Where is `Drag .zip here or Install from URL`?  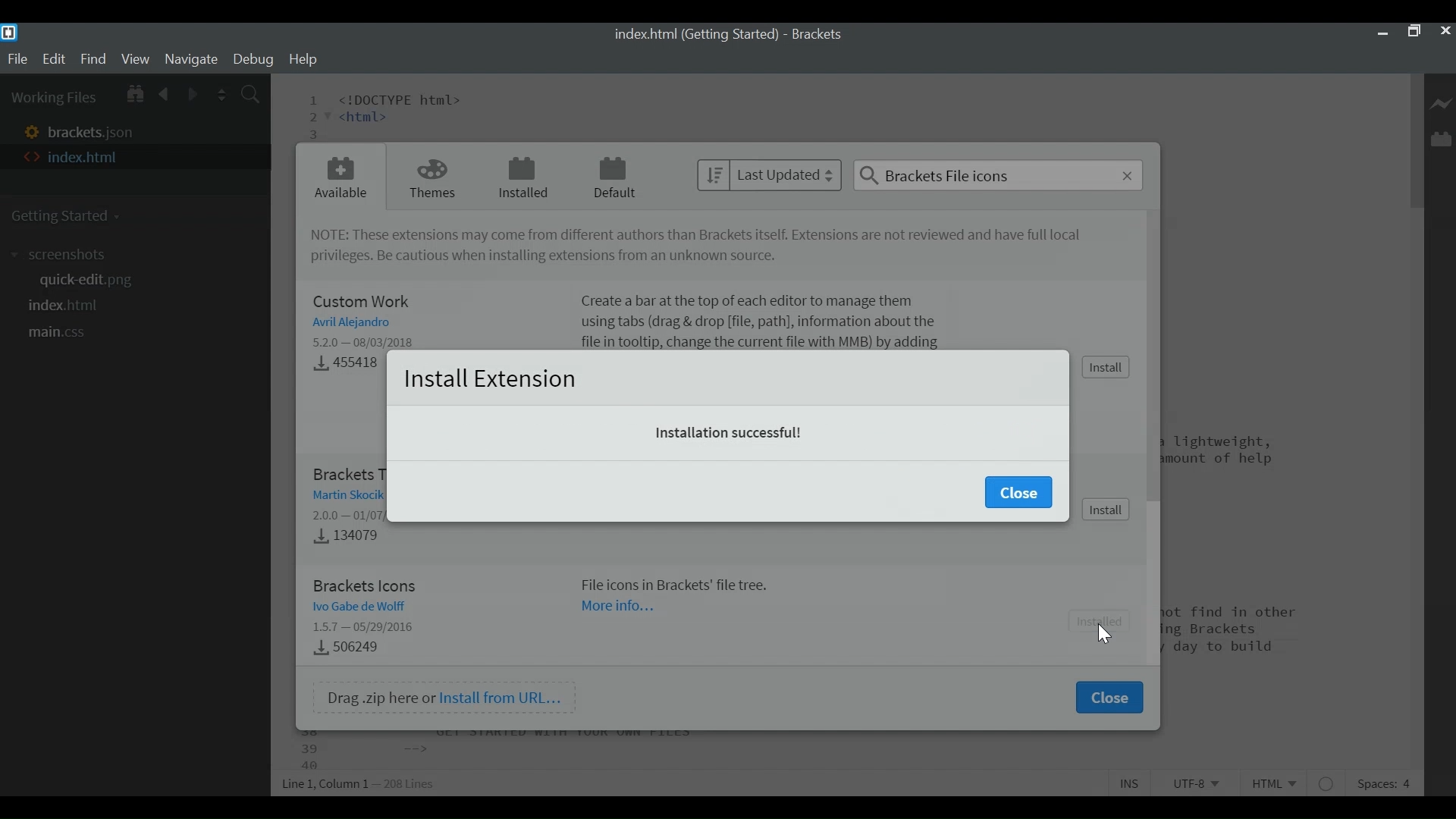
Drag .zip here or Install from URL is located at coordinates (444, 697).